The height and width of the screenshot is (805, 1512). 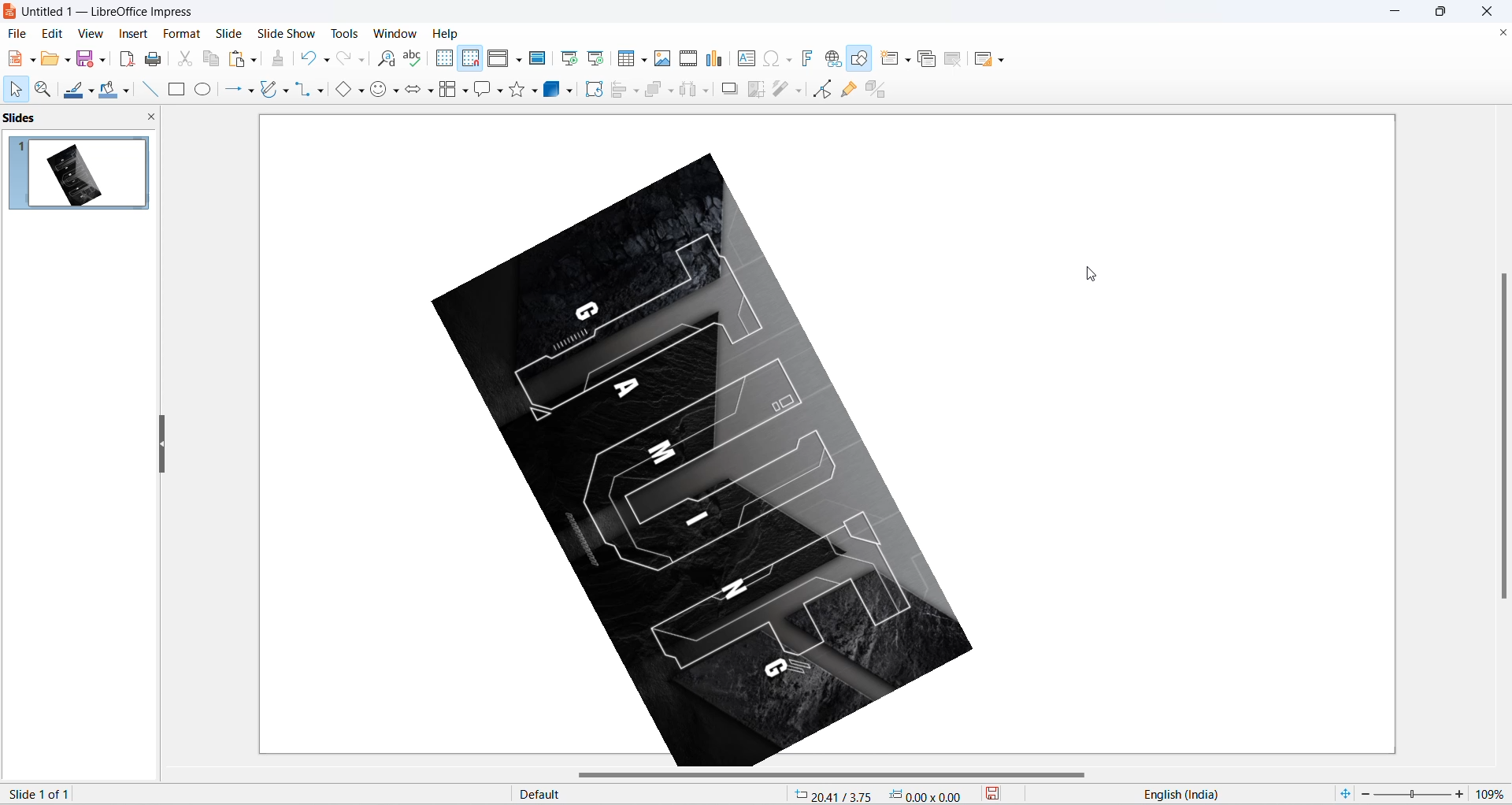 I want to click on rotate, so click(x=592, y=95).